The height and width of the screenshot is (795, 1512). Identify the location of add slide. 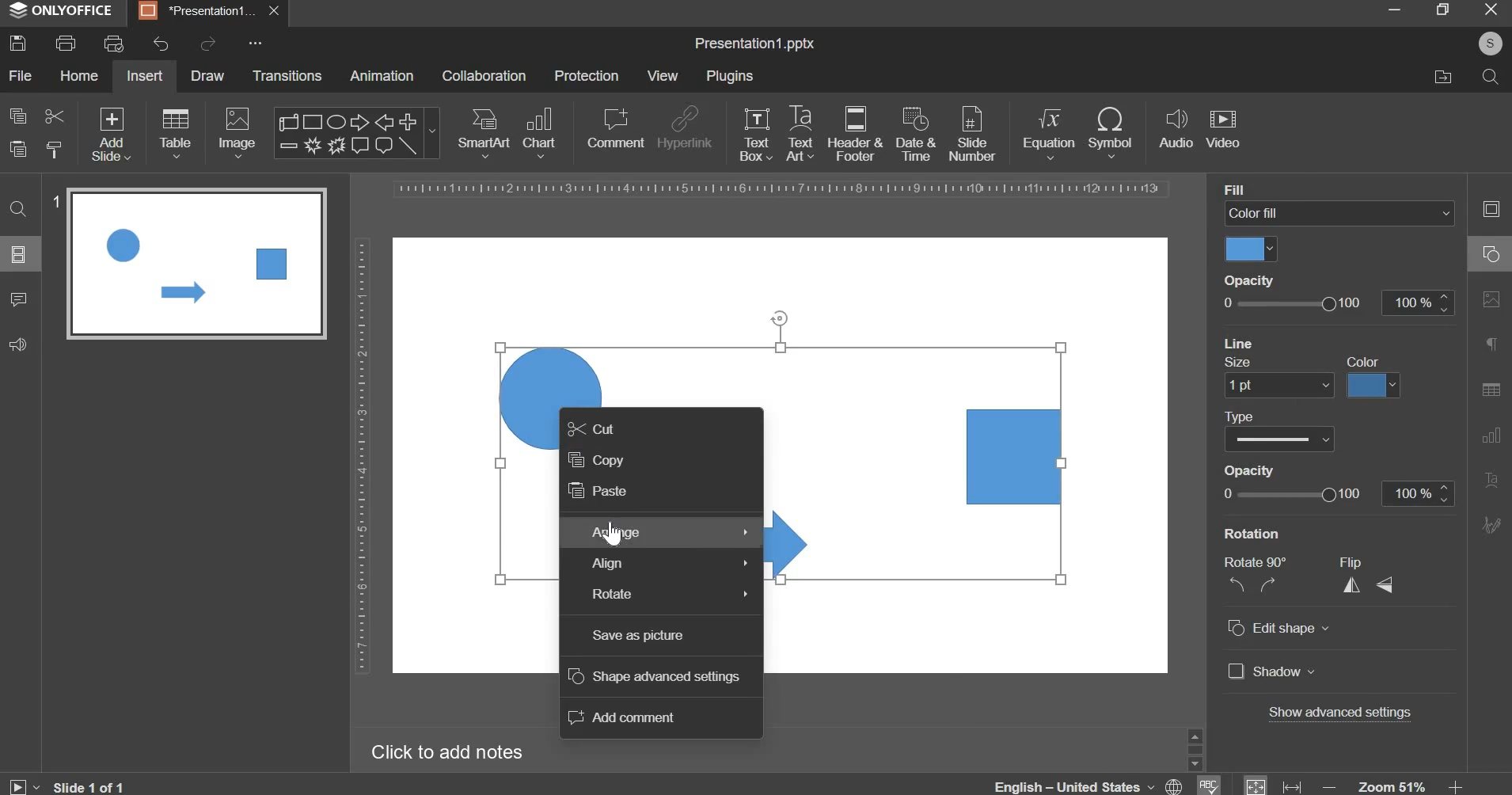
(112, 135).